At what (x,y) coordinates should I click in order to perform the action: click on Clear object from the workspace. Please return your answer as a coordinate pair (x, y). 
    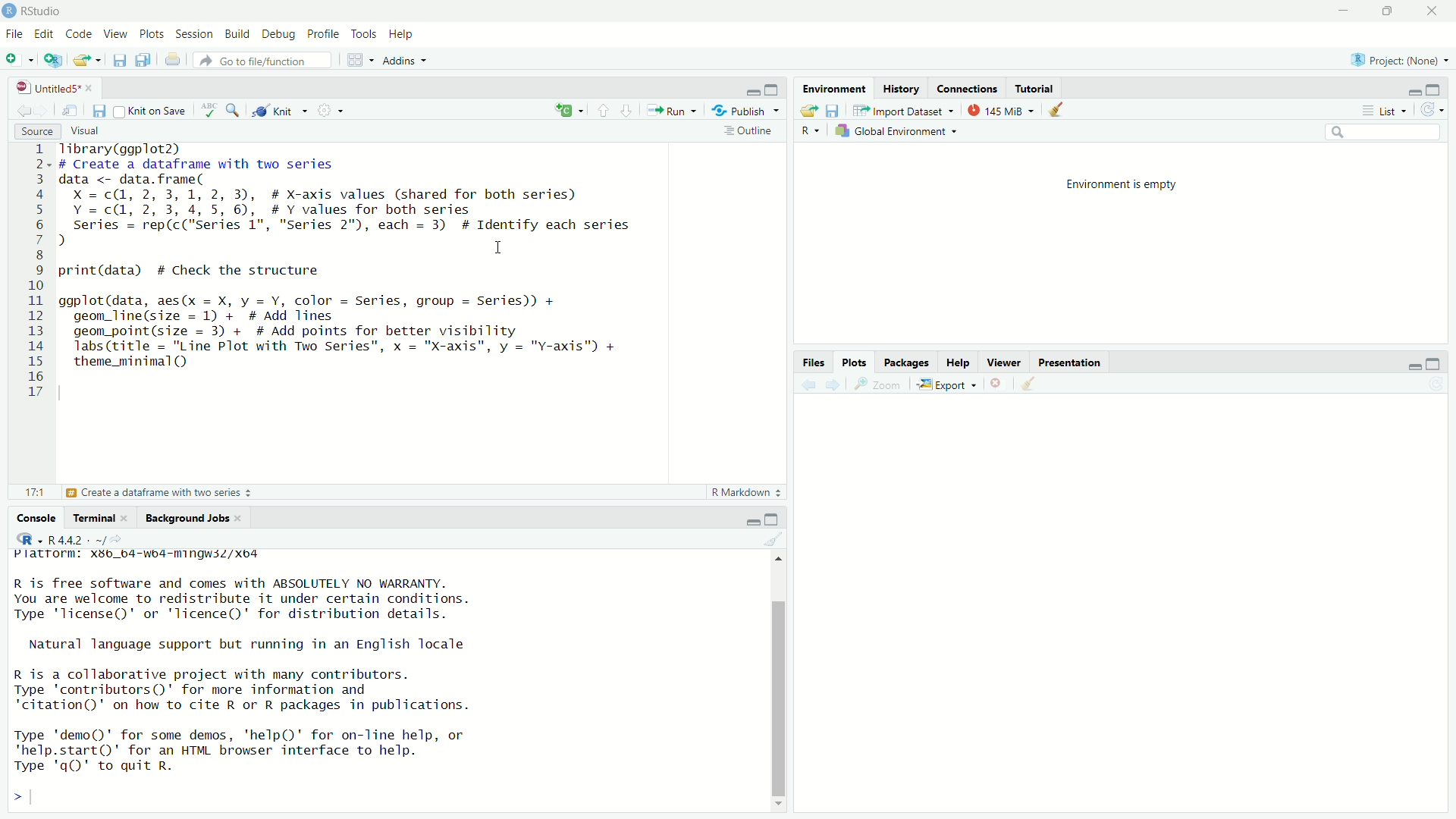
    Looking at the image, I should click on (1059, 109).